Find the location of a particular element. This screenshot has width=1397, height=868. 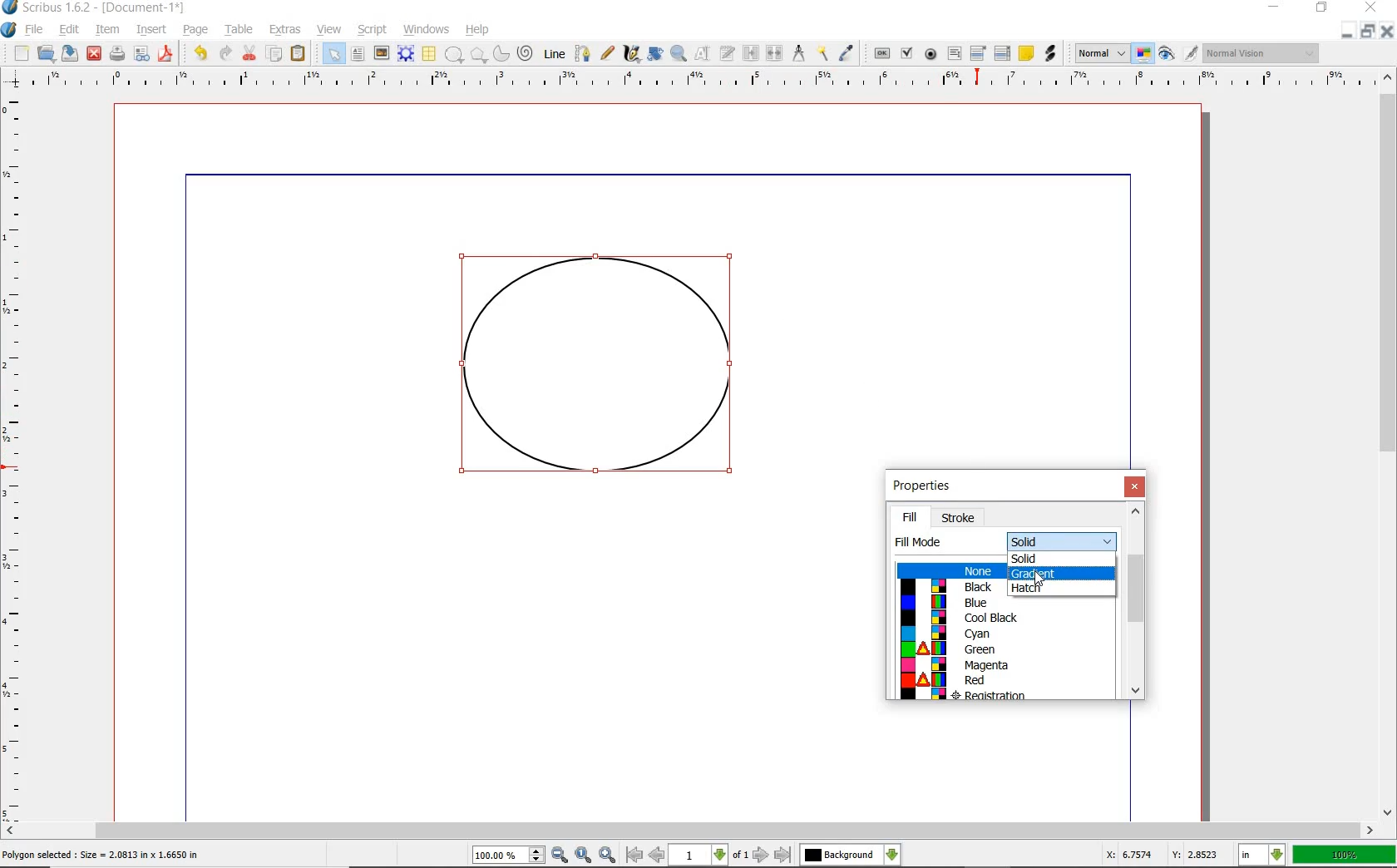

select current unit is located at coordinates (1261, 853).